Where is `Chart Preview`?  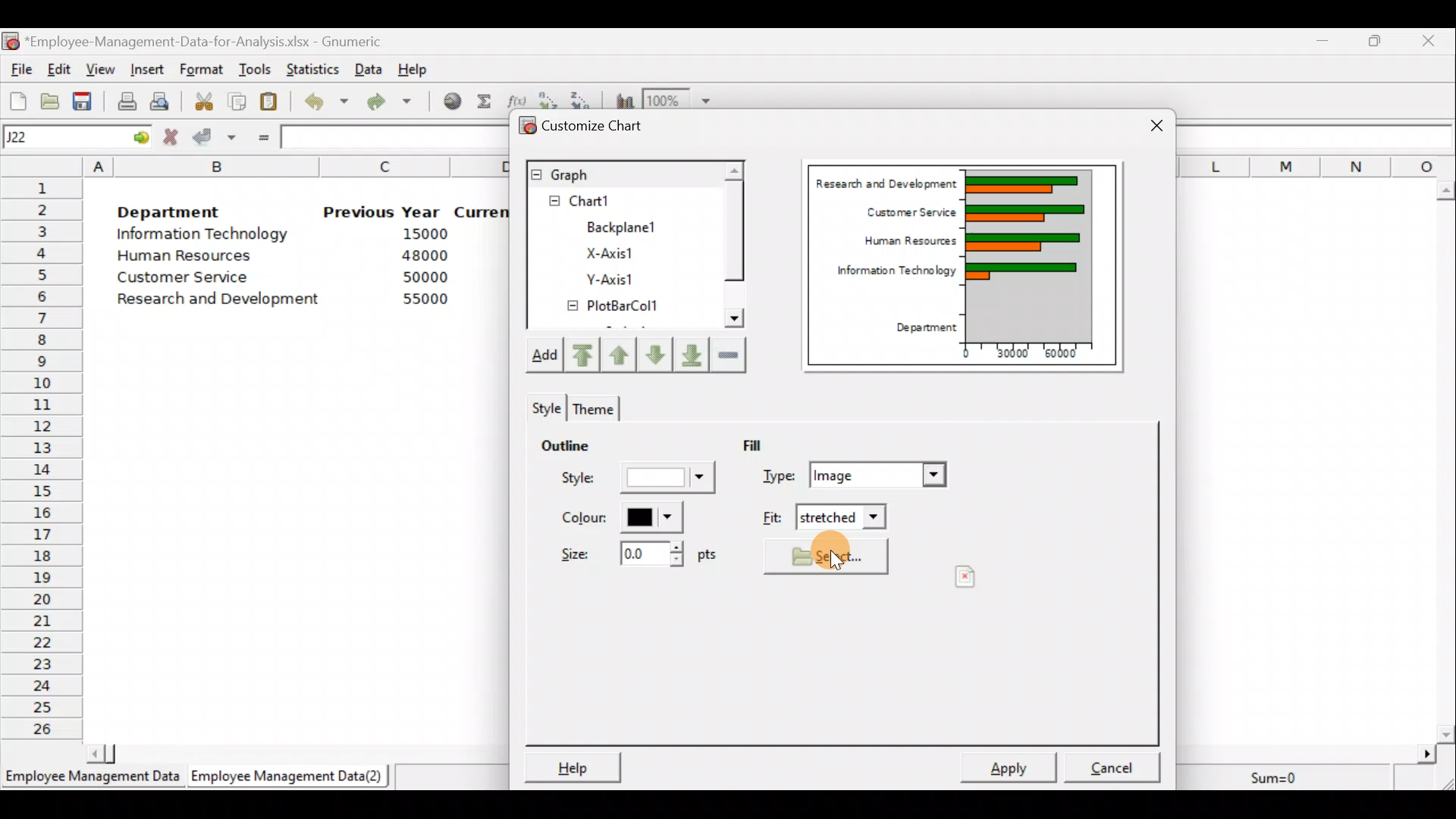 Chart Preview is located at coordinates (1030, 255).